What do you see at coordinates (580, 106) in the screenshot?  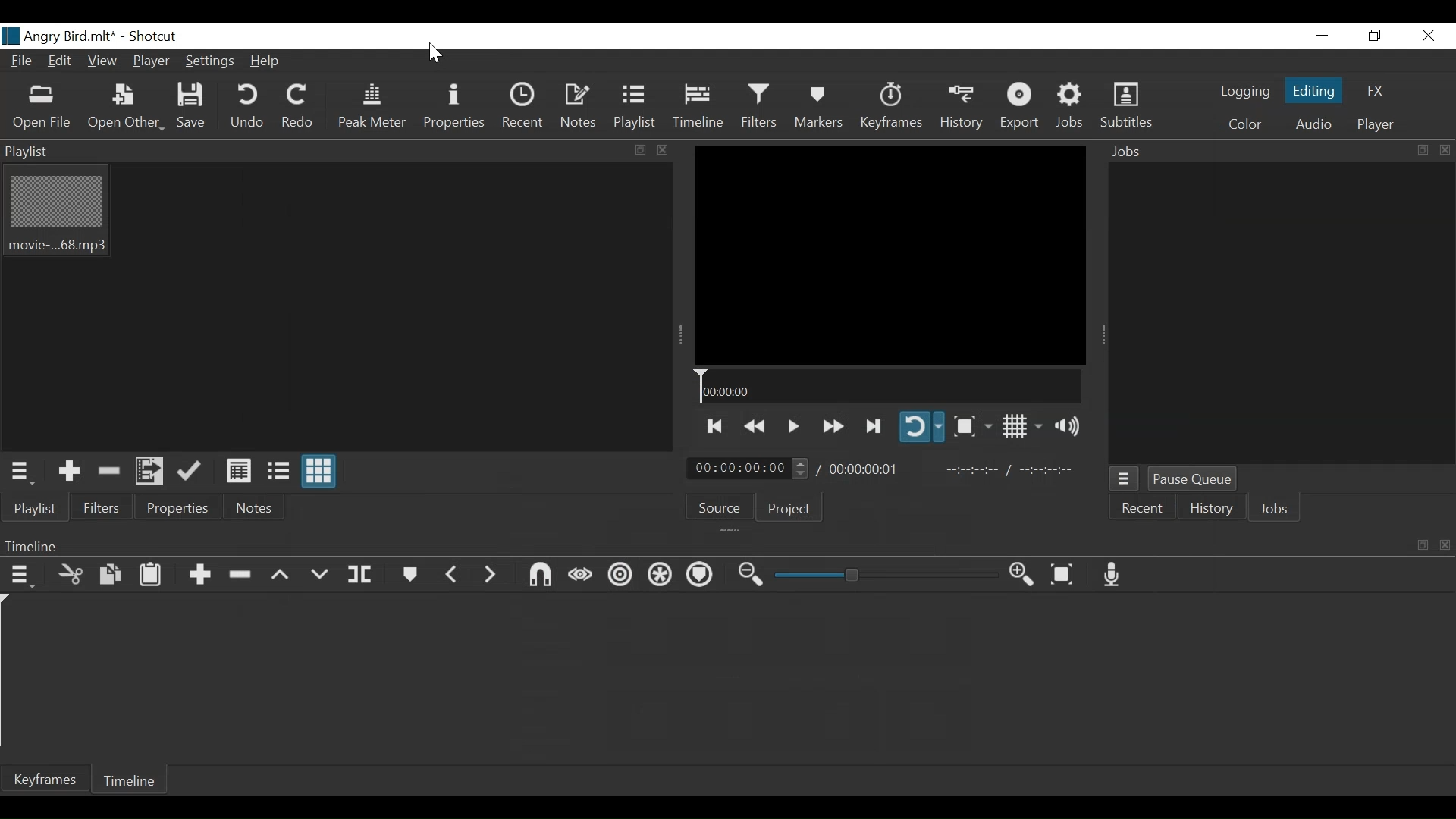 I see `Notes` at bounding box center [580, 106].